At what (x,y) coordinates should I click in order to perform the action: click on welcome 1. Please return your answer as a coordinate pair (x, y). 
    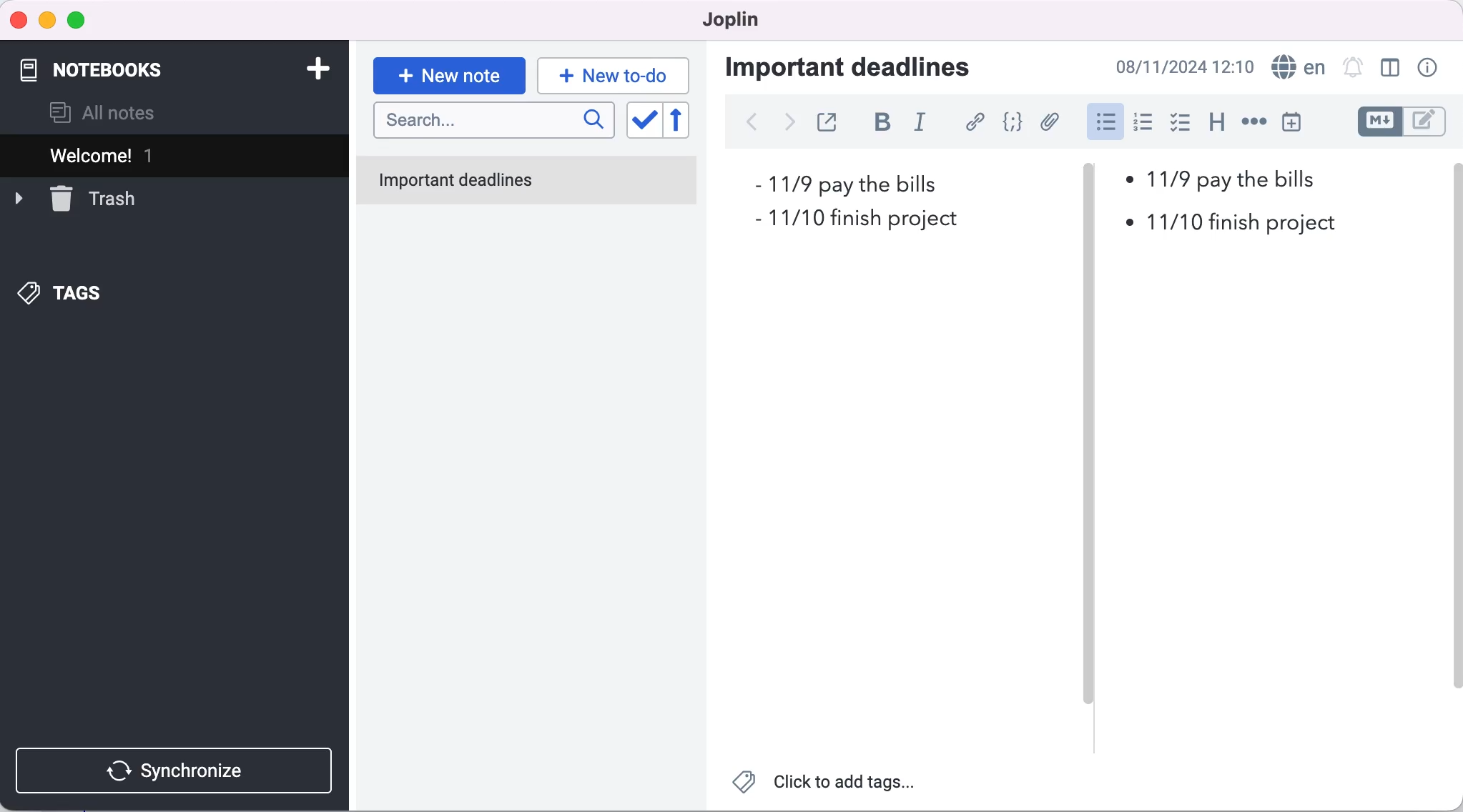
    Looking at the image, I should click on (152, 156).